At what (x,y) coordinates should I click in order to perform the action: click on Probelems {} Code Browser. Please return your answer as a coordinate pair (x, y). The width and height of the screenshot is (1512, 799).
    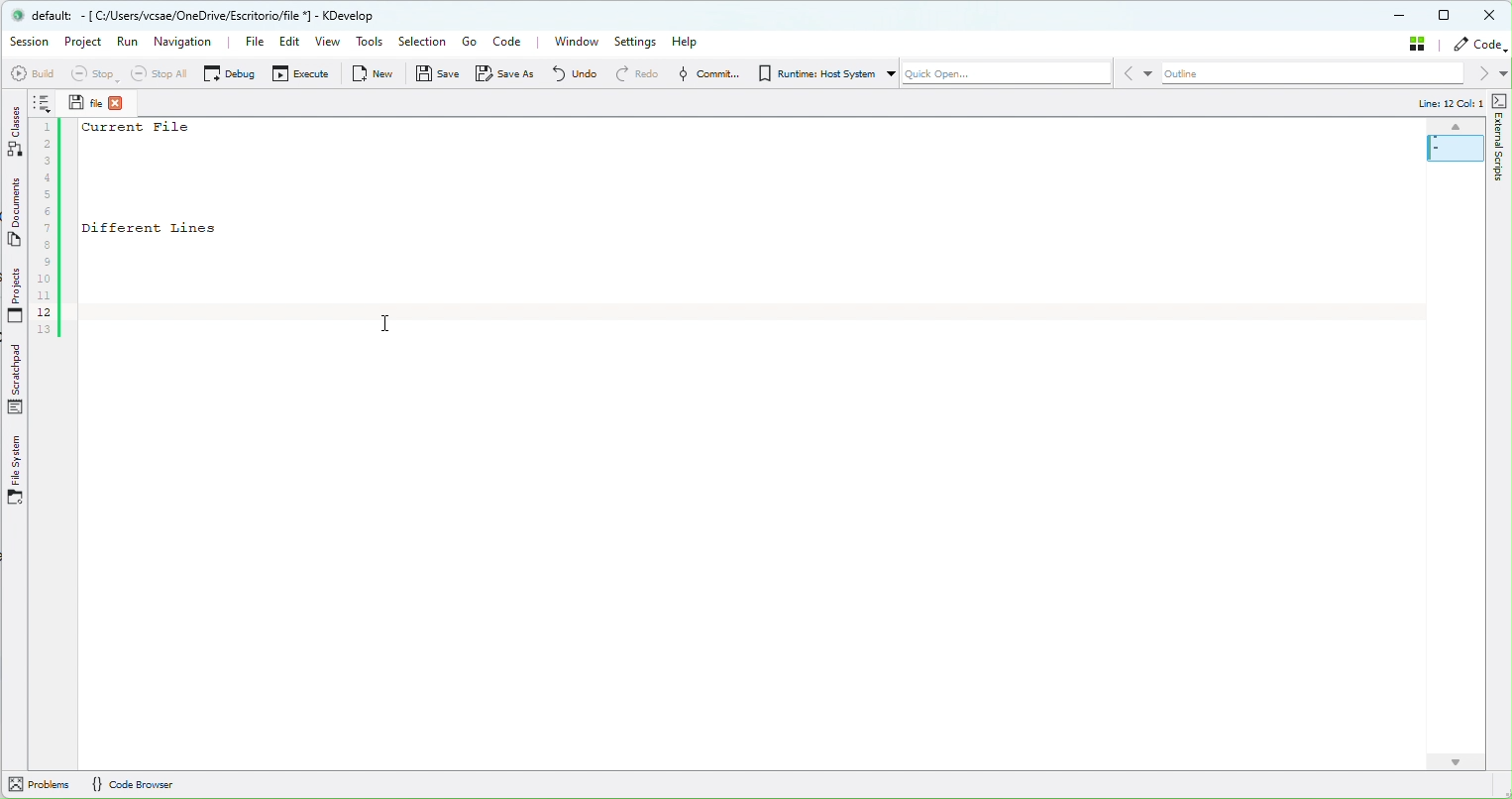
    Looking at the image, I should click on (129, 785).